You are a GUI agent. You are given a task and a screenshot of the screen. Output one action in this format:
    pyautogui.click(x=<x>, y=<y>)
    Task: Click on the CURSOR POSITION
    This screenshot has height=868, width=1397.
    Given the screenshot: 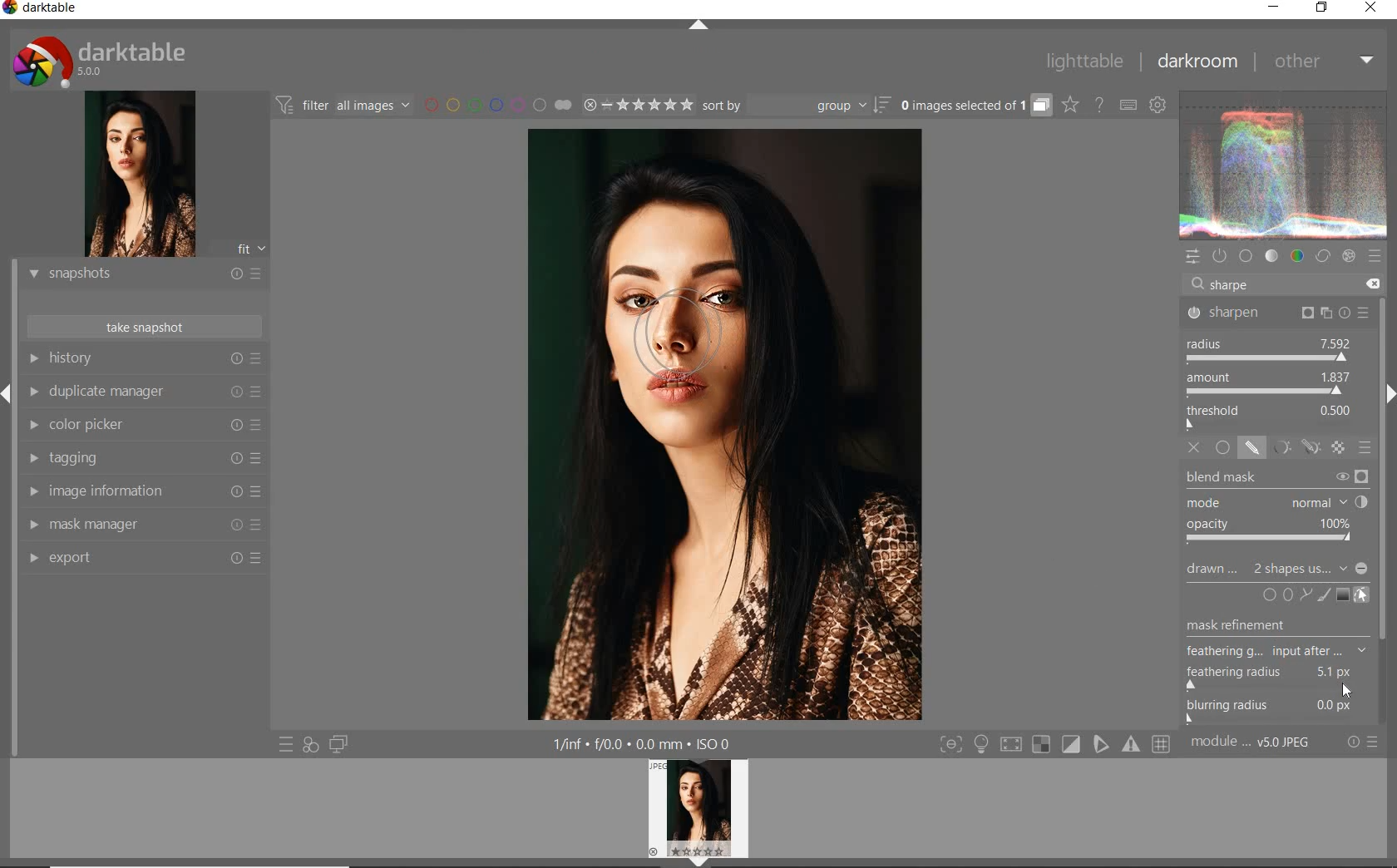 What is the action you would take?
    pyautogui.click(x=1348, y=692)
    